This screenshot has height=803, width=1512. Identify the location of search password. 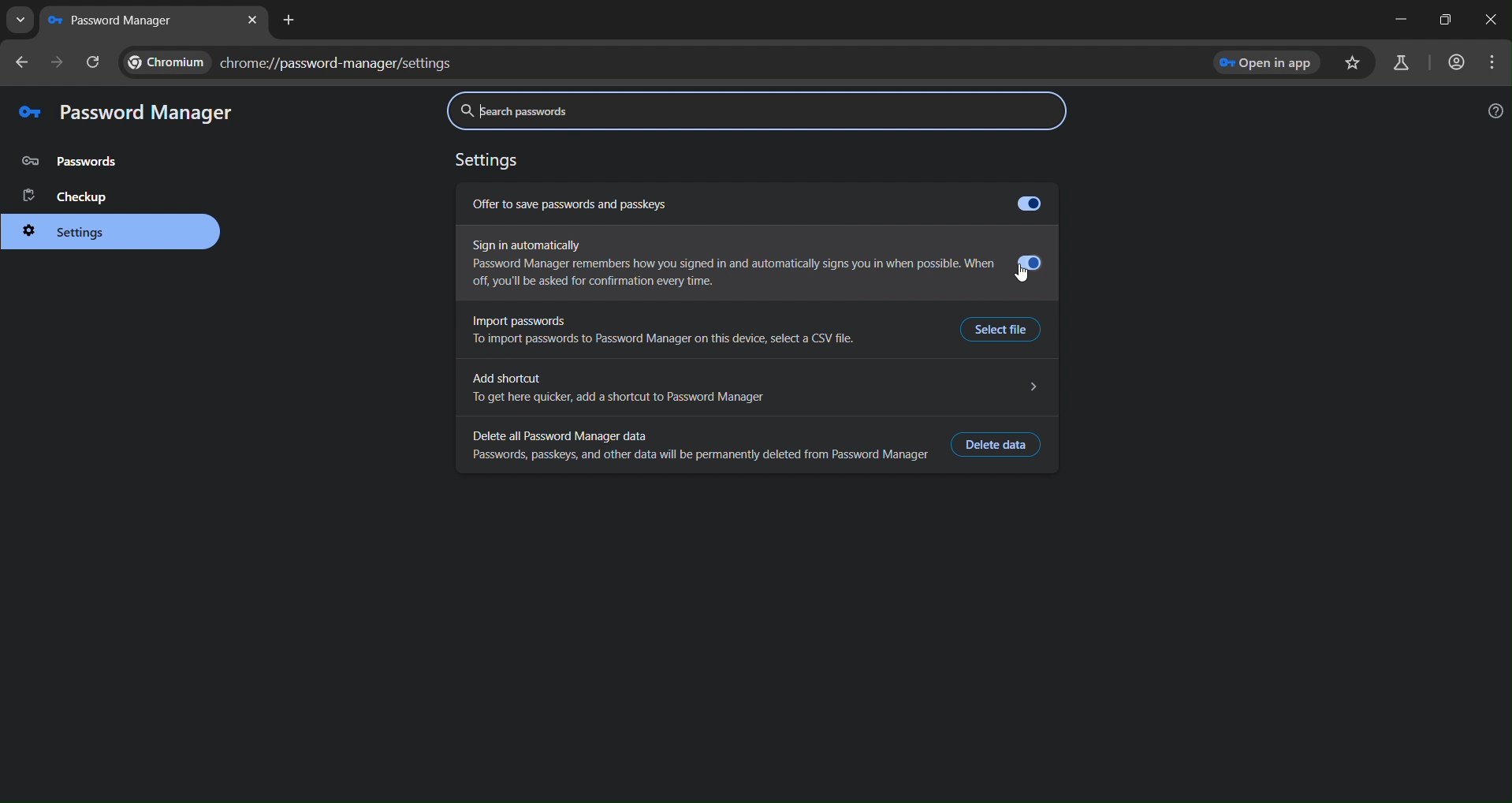
(755, 110).